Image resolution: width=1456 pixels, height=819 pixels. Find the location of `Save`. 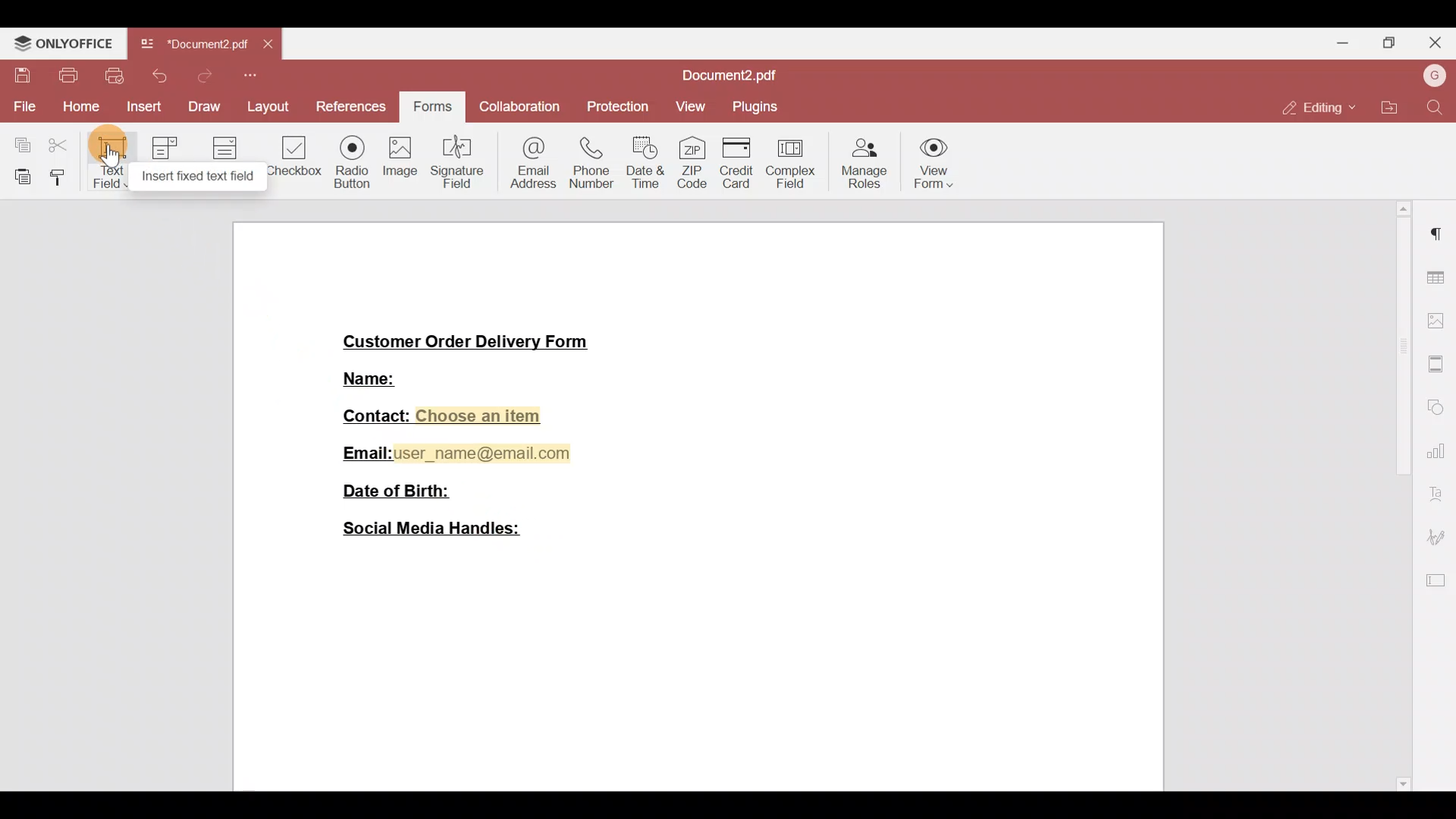

Save is located at coordinates (17, 76).